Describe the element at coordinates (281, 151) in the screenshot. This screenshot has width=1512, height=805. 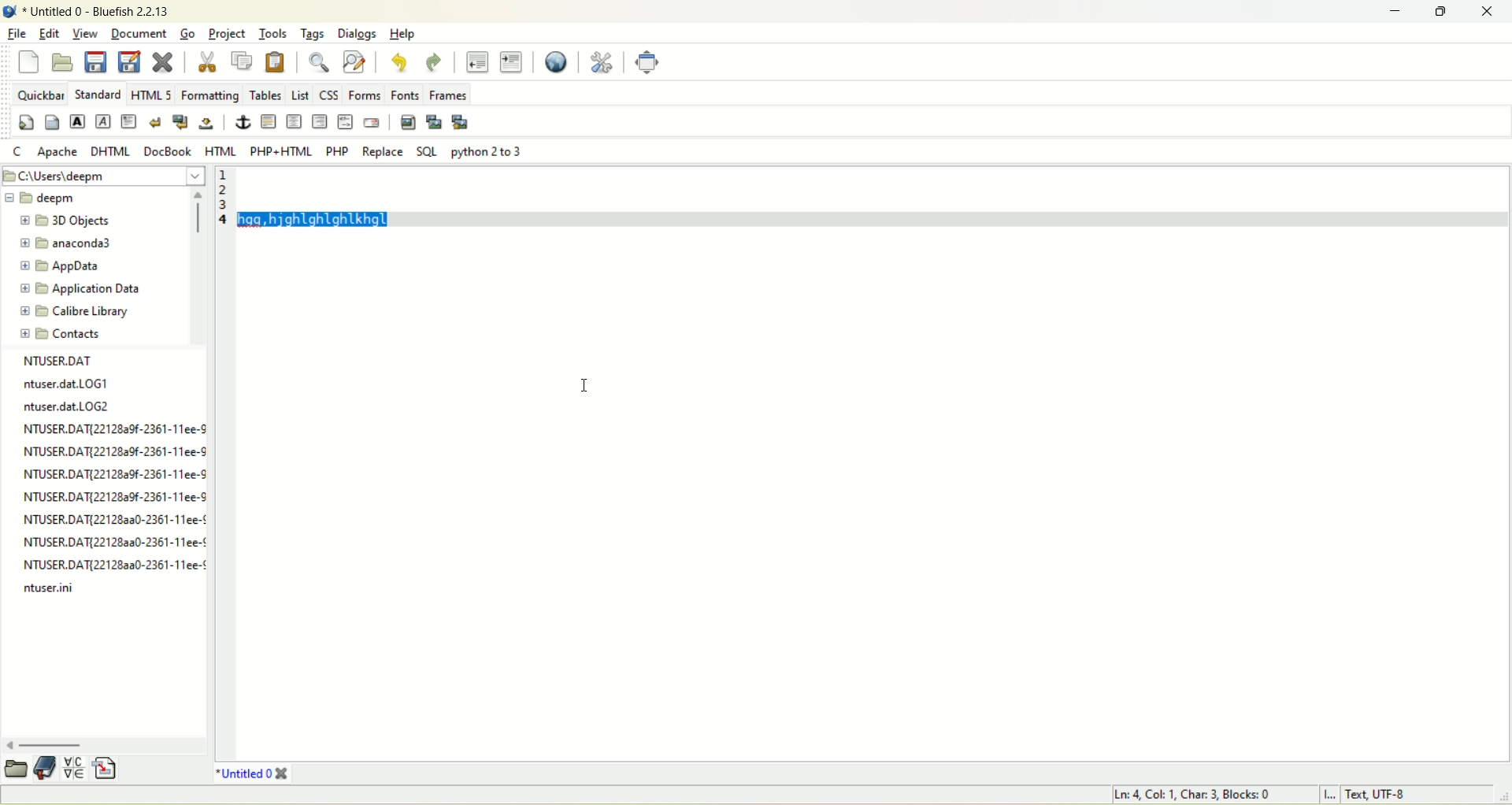
I see `PHP+HTML` at that location.